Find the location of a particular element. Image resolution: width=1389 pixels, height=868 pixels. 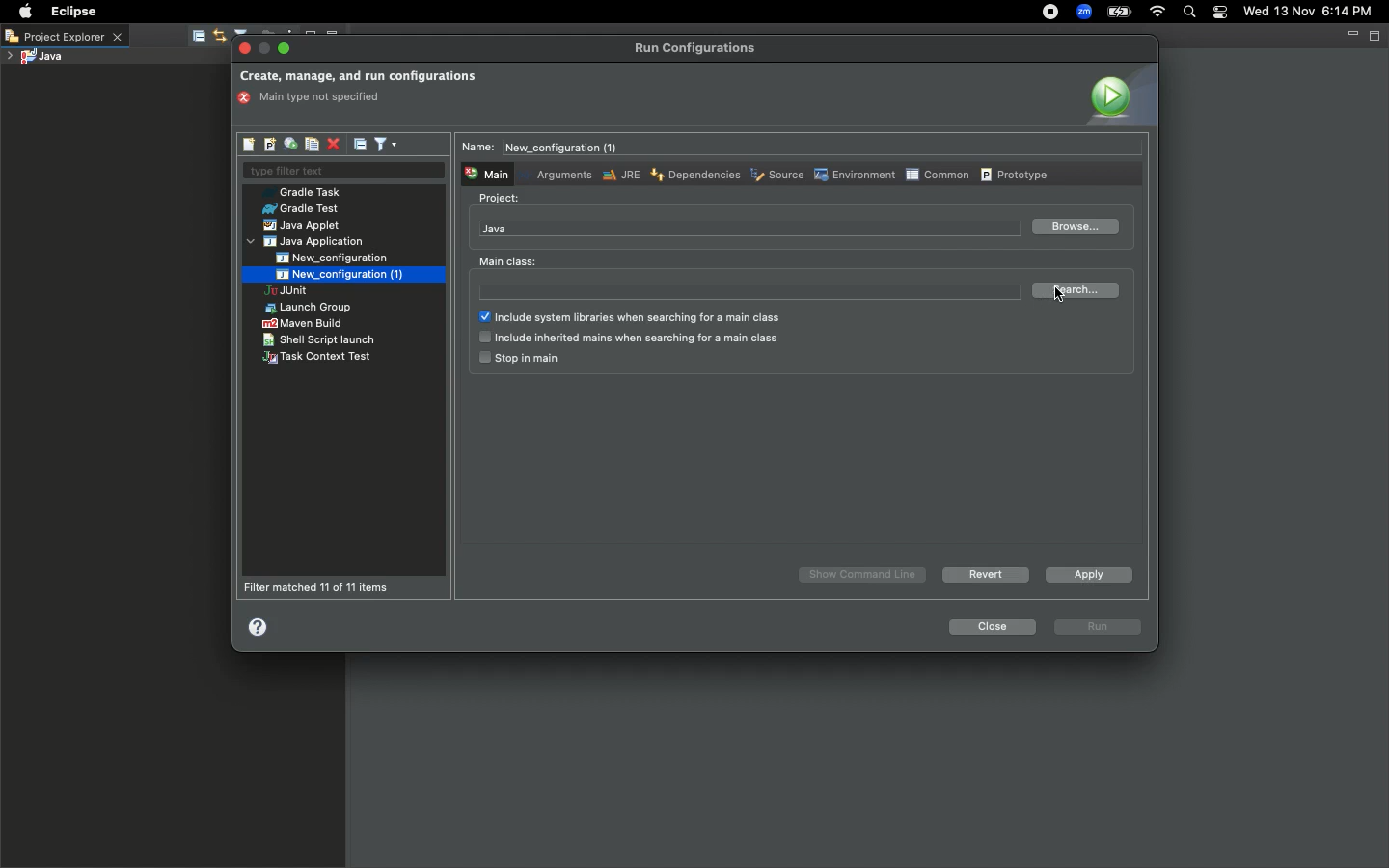

Main is located at coordinates (485, 173).